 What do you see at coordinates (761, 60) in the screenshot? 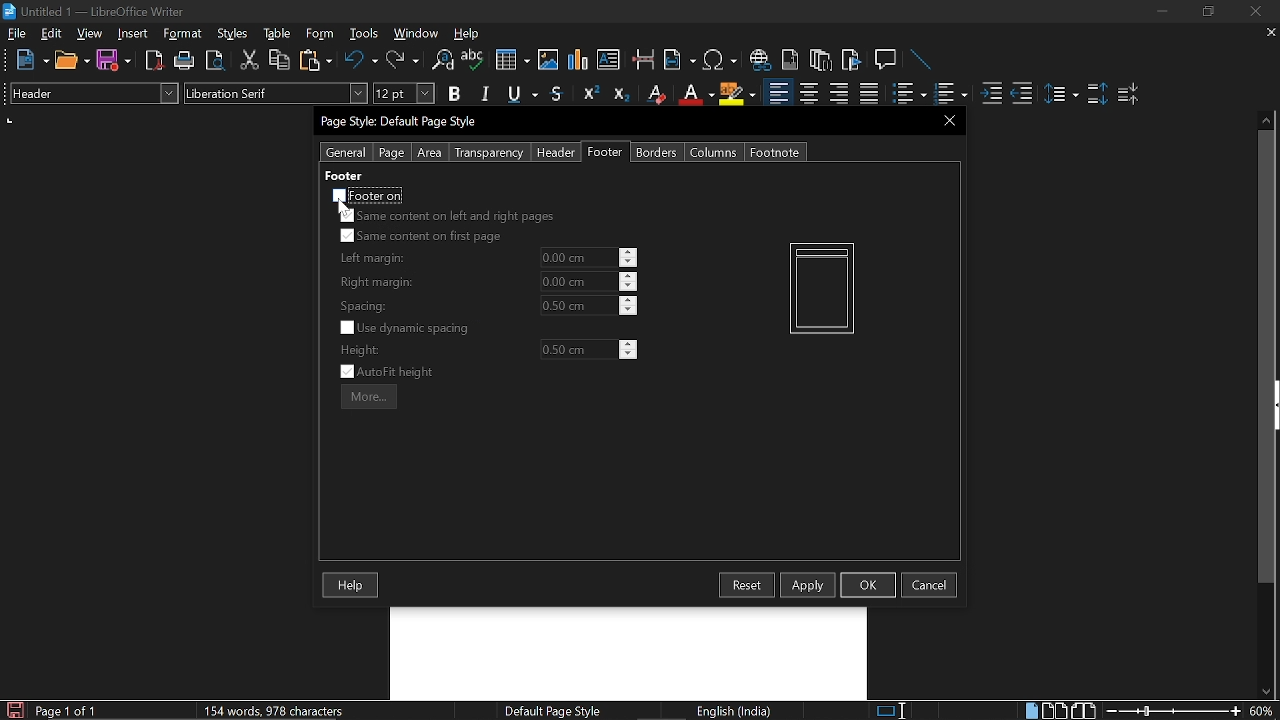
I see `Insert hyperlink` at bounding box center [761, 60].